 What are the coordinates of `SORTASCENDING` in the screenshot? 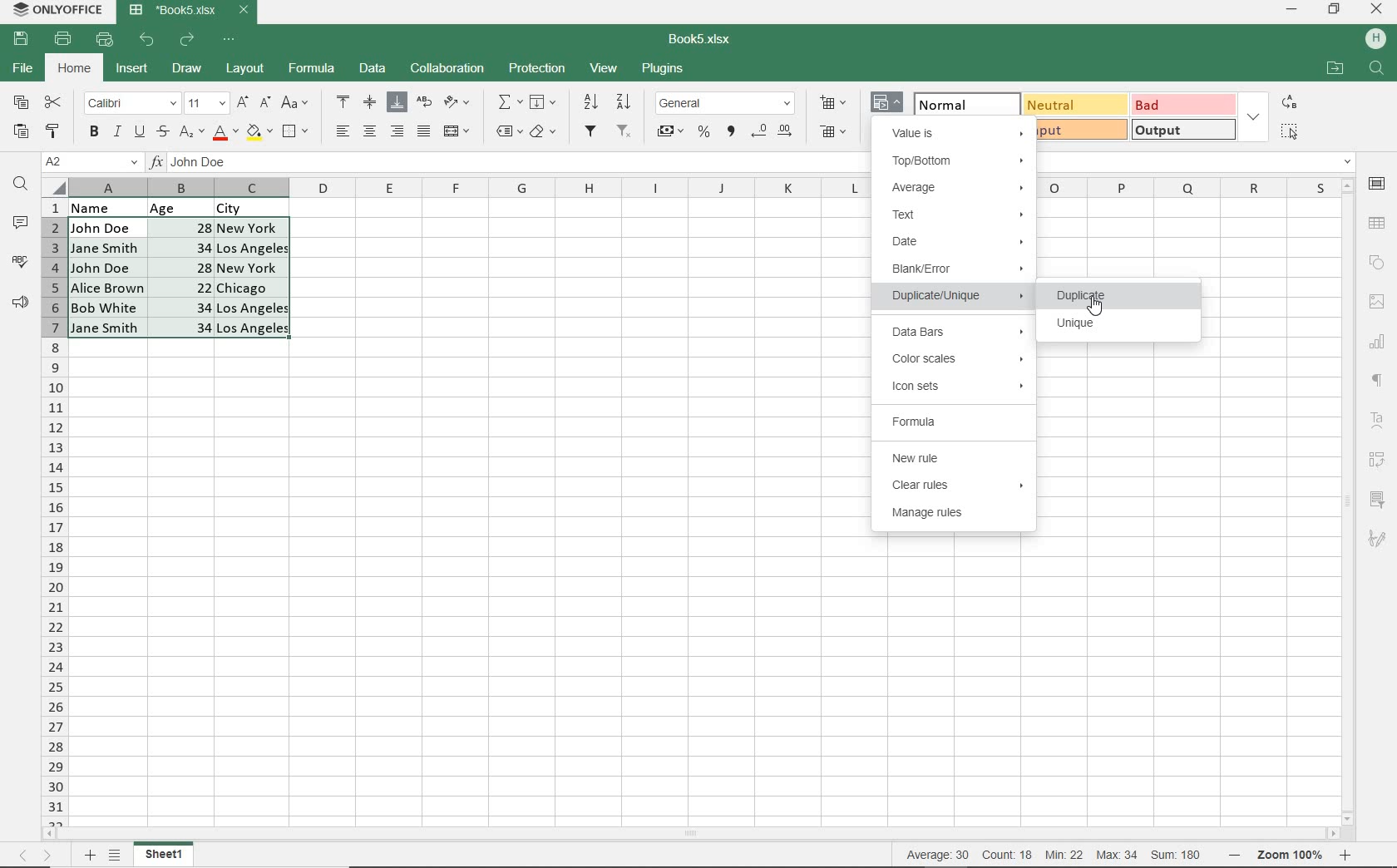 It's located at (592, 102).